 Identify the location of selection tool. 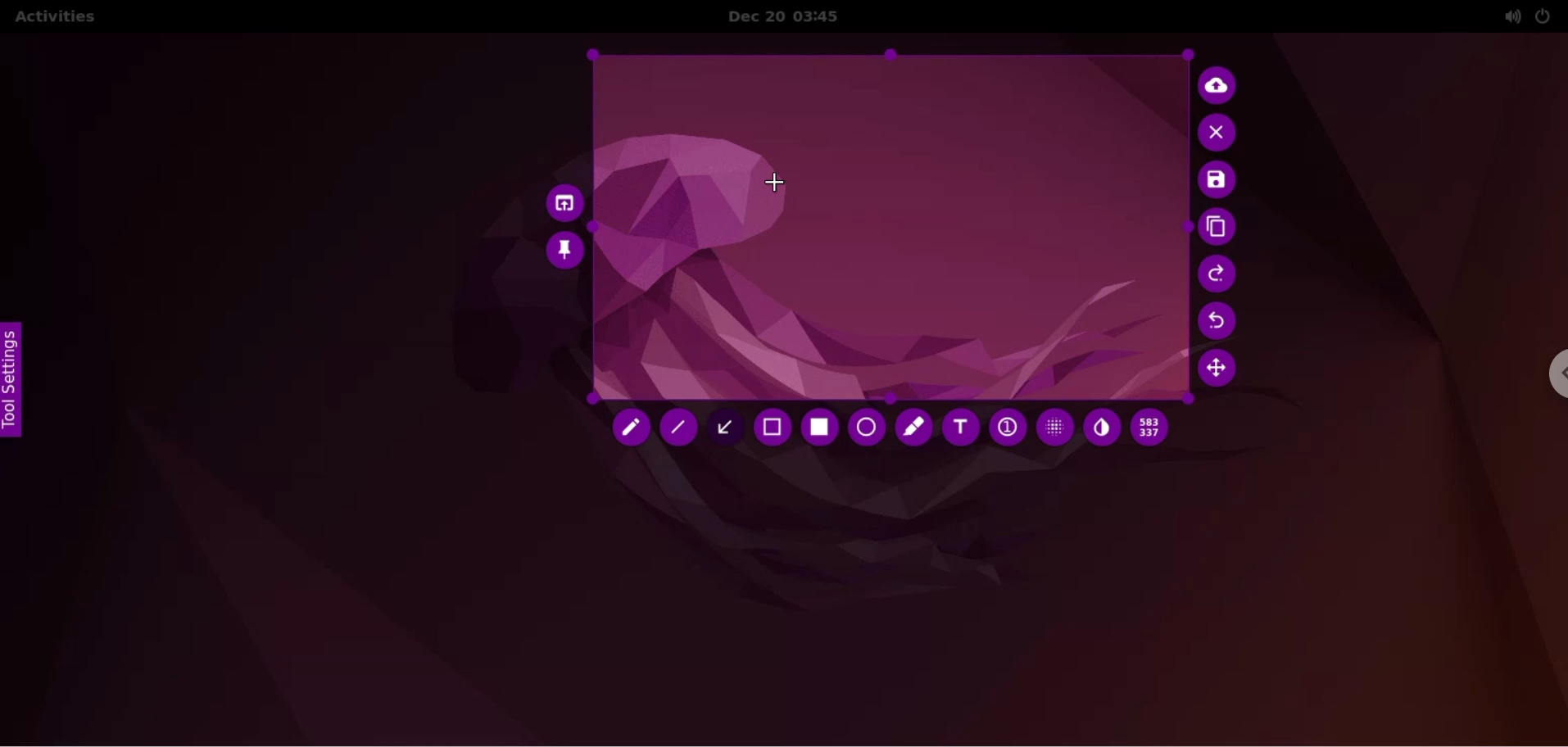
(775, 430).